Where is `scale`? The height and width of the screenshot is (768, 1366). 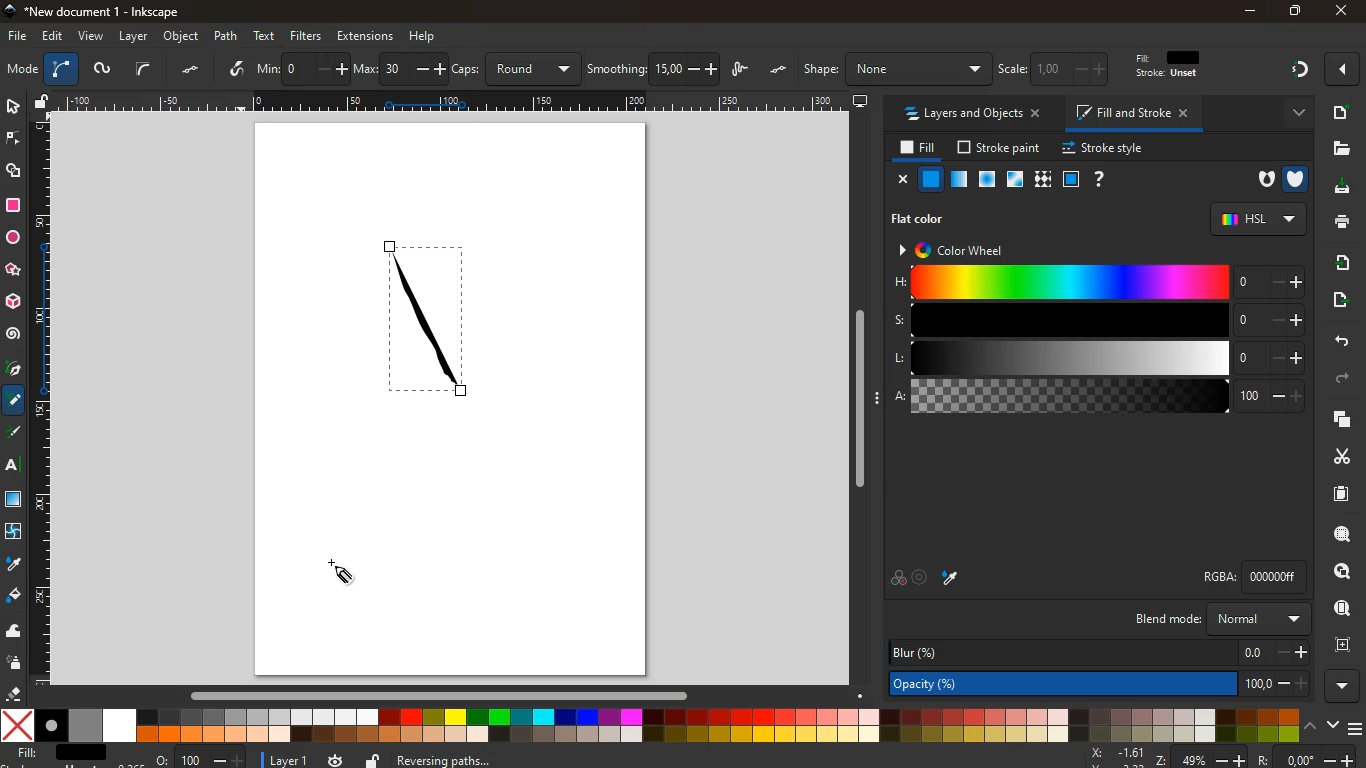 scale is located at coordinates (1057, 68).